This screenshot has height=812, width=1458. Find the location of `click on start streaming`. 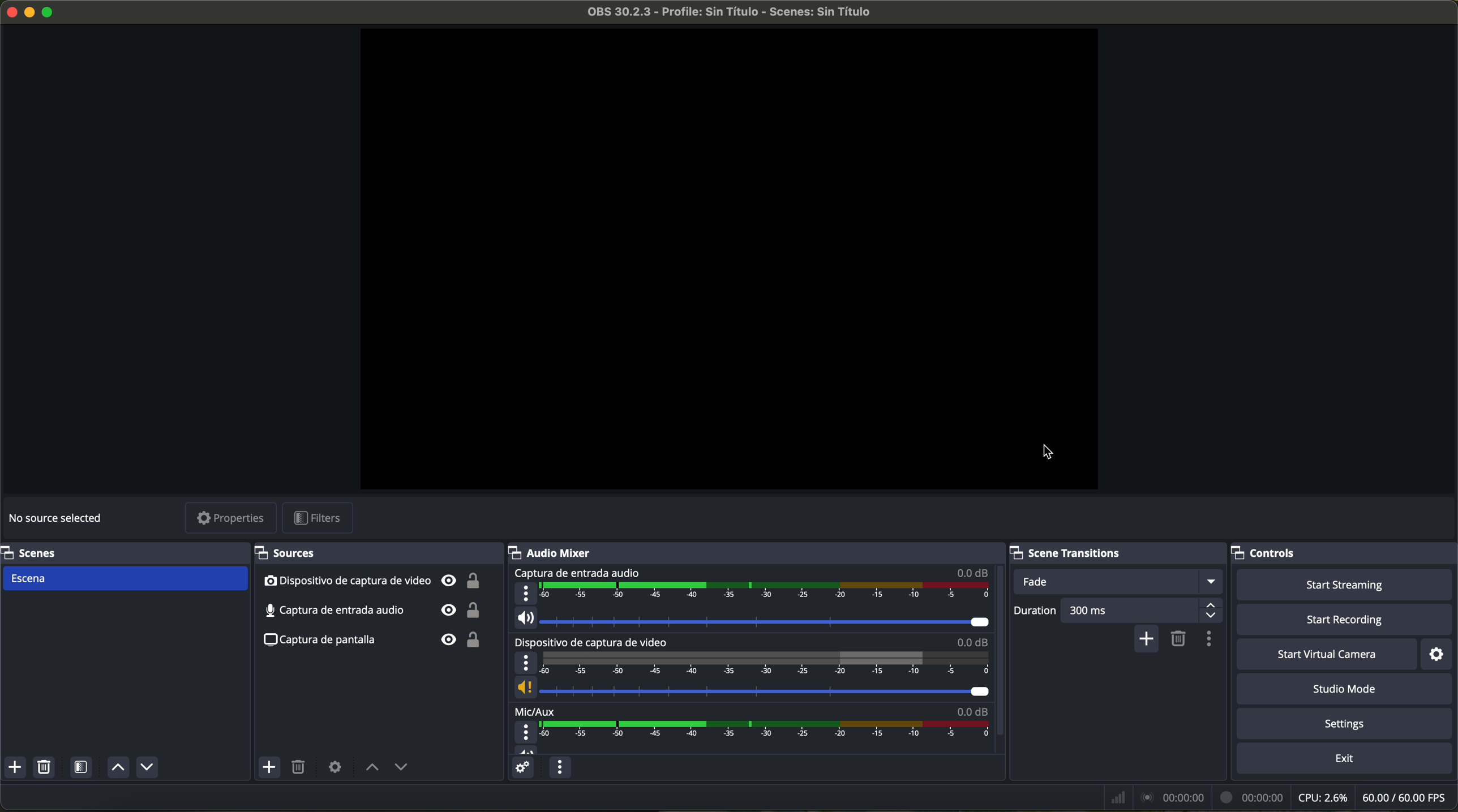

click on start streaming is located at coordinates (1345, 586).